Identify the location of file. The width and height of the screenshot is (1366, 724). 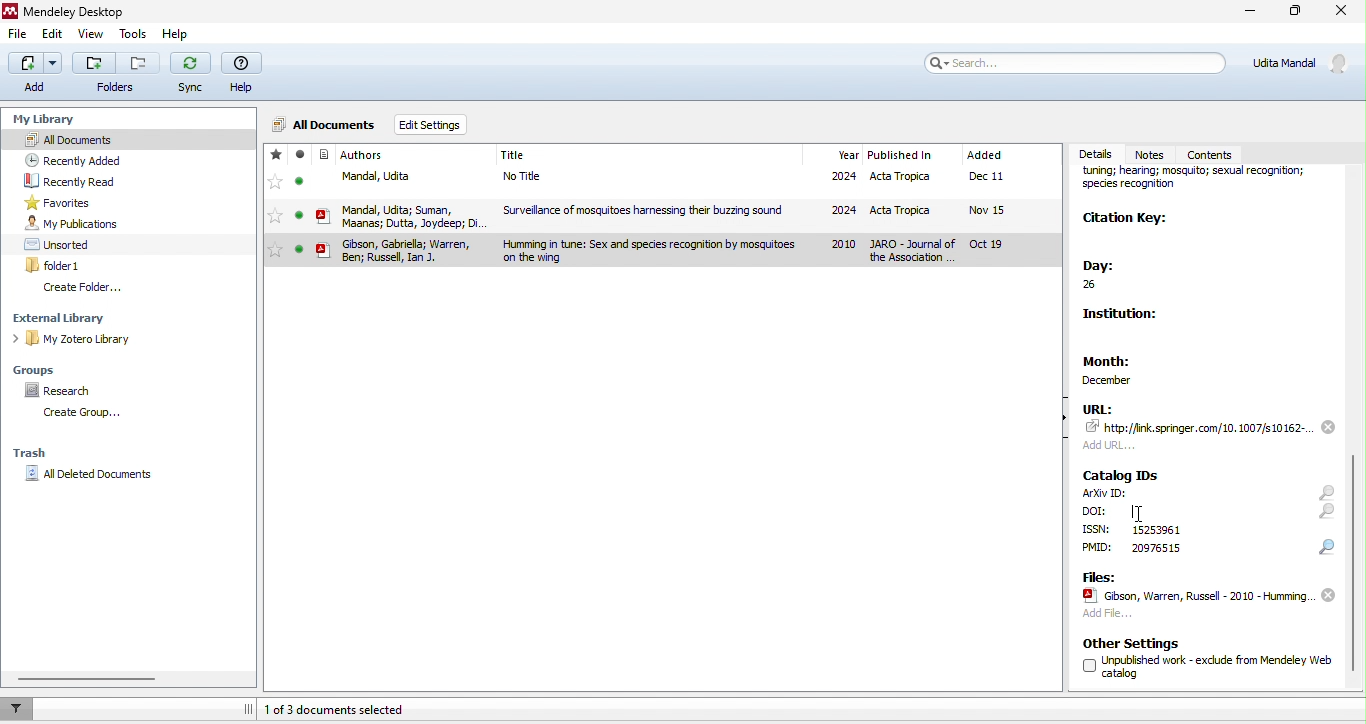
(700, 179).